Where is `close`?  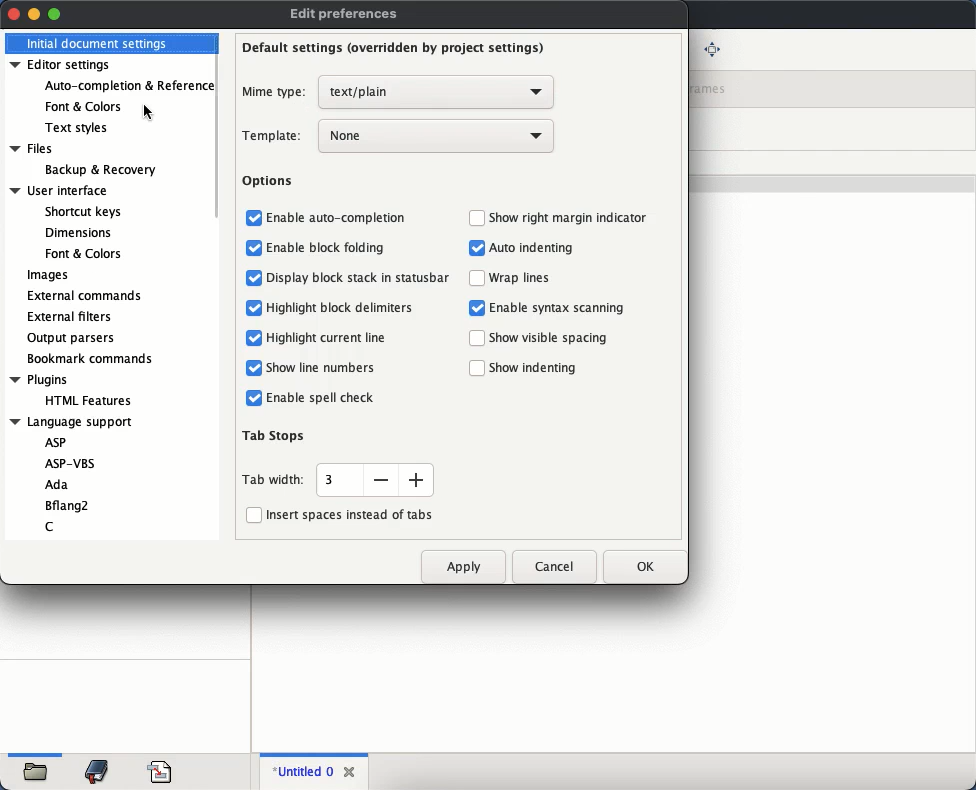
close is located at coordinates (351, 770).